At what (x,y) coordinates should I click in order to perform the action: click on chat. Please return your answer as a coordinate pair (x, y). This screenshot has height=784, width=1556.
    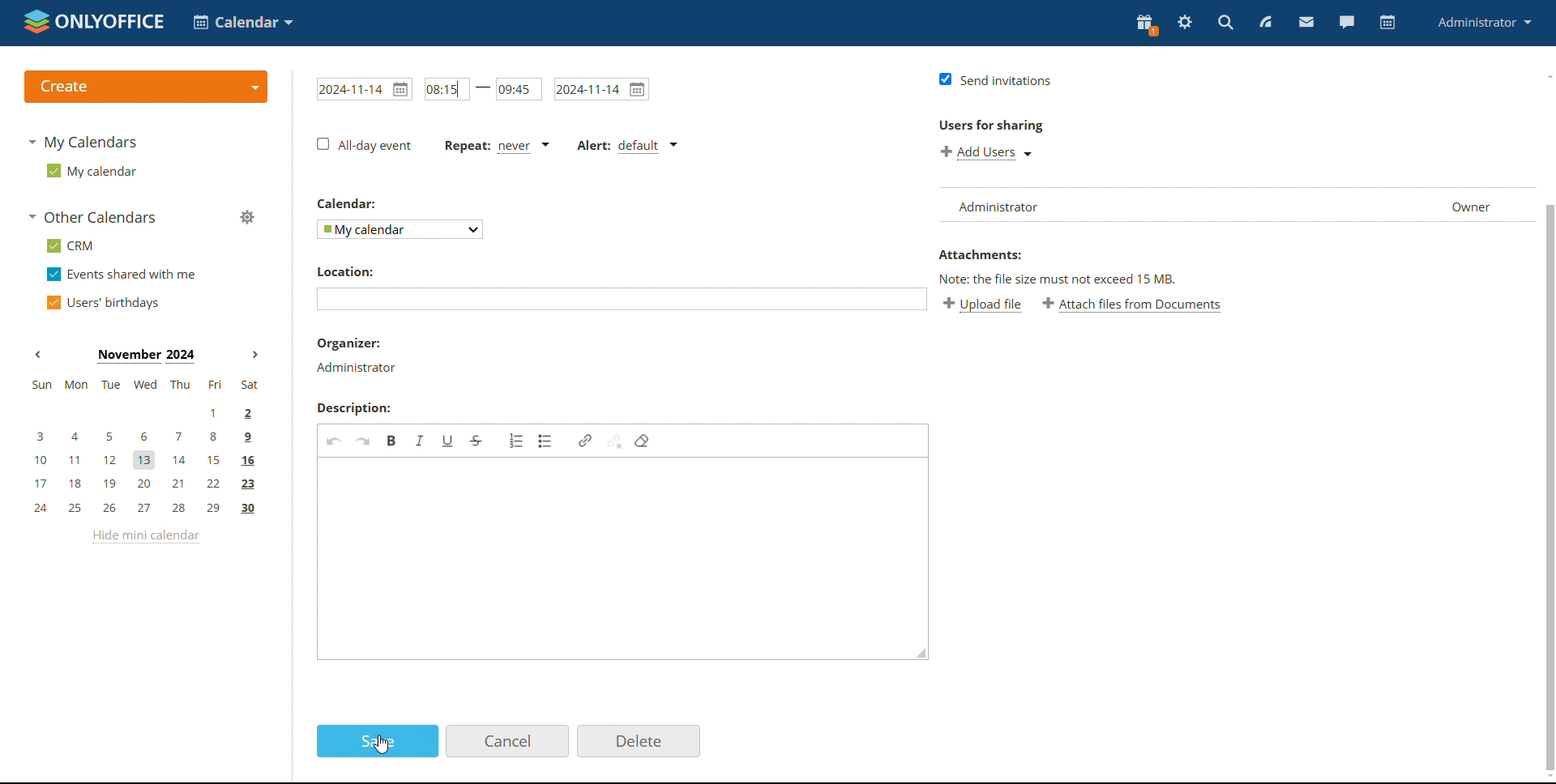
    Looking at the image, I should click on (1346, 23).